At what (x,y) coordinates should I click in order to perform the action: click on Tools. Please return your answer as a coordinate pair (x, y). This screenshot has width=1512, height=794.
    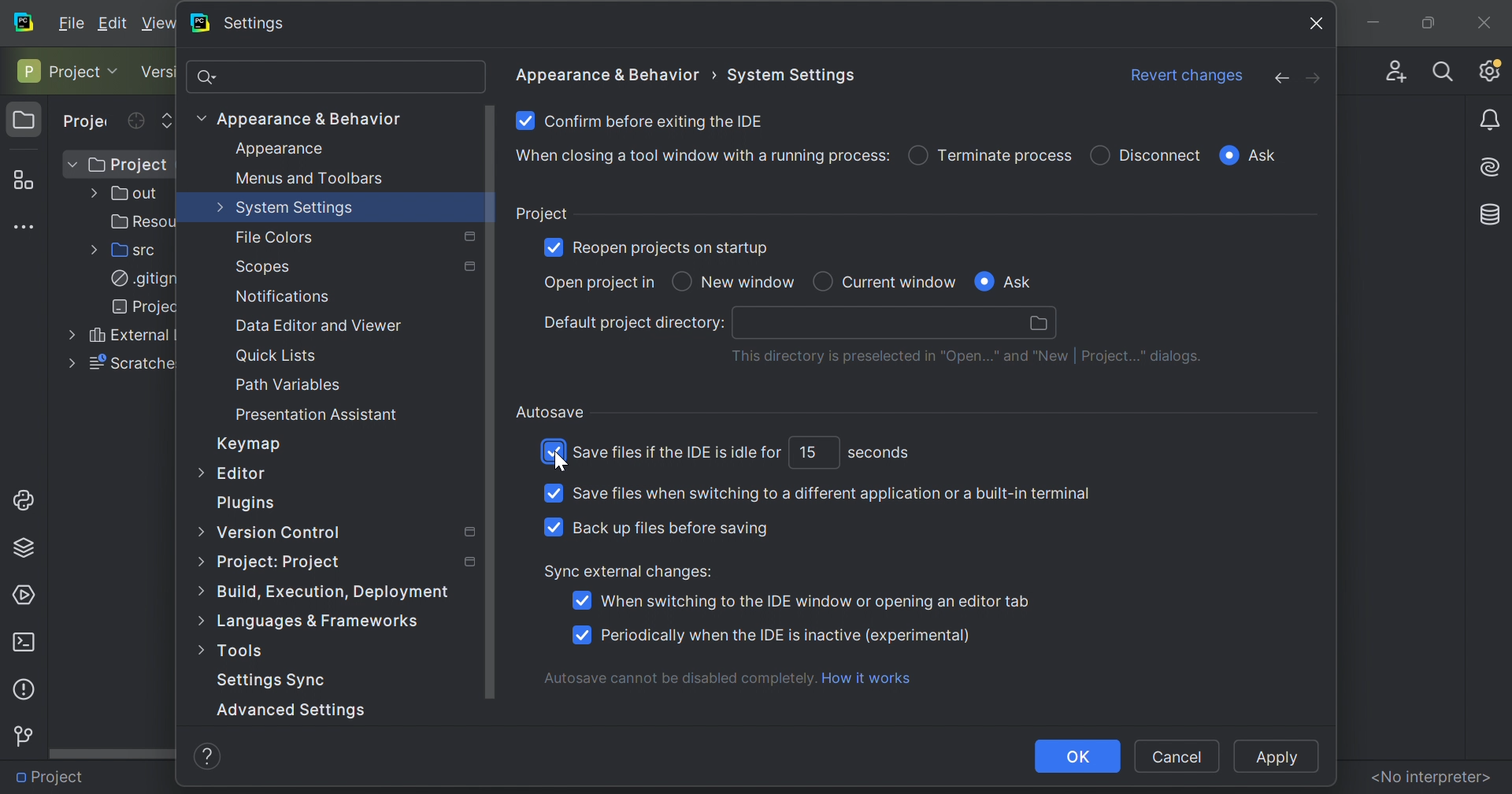
    Looking at the image, I should click on (244, 652).